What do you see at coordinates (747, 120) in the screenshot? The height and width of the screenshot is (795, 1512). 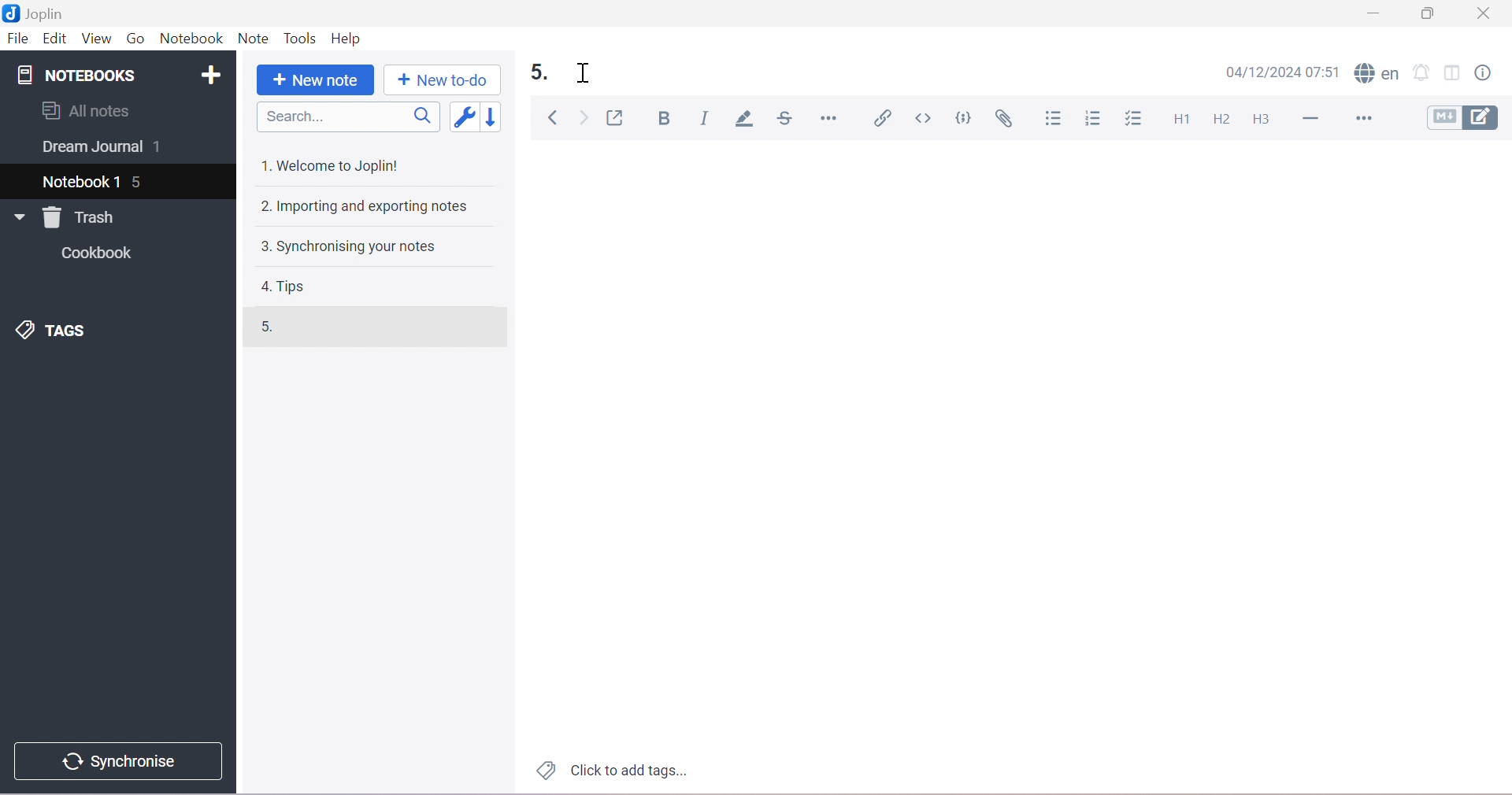 I see `Highlight` at bounding box center [747, 120].